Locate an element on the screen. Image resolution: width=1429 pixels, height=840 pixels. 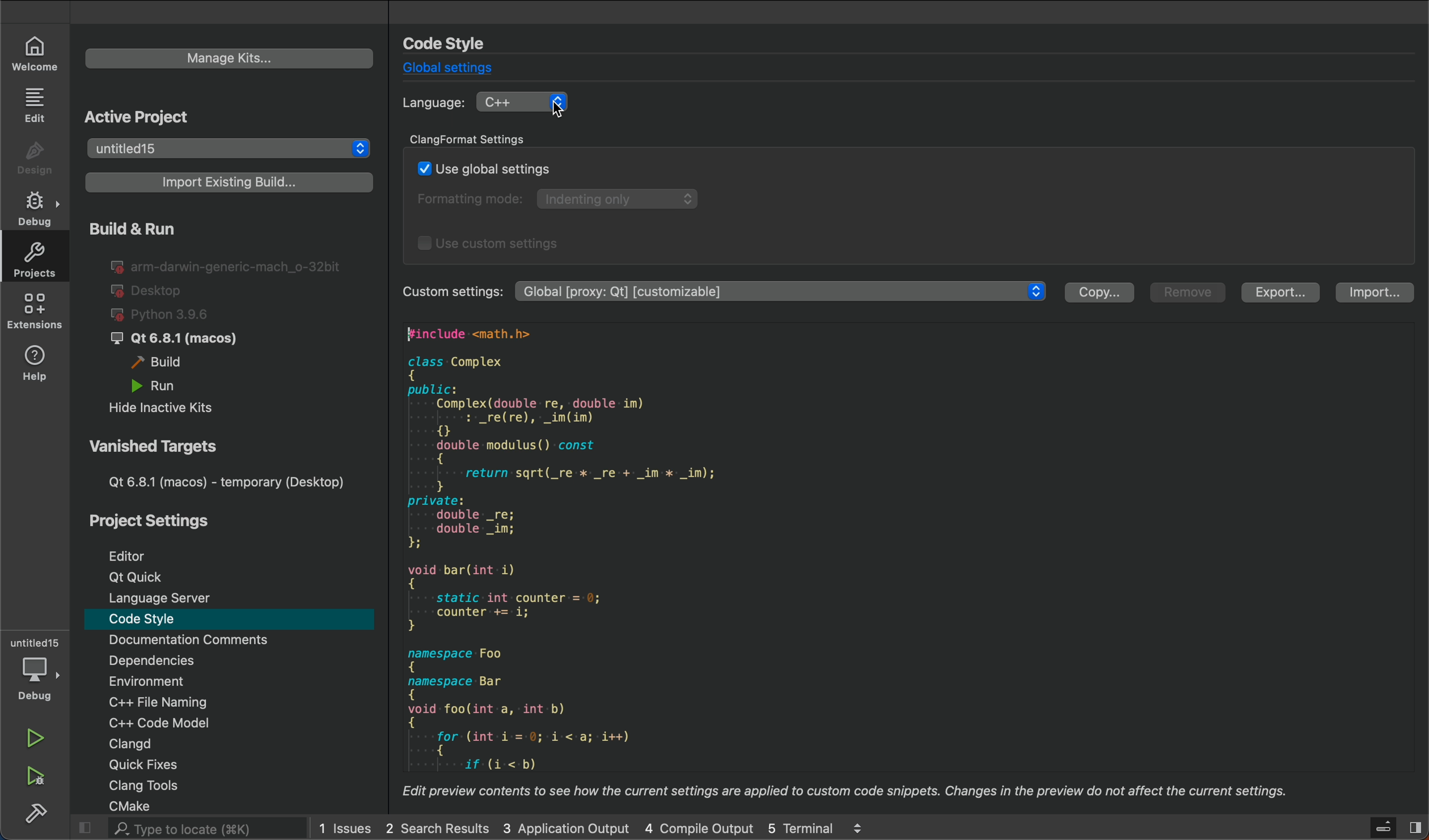
search is located at coordinates (184, 828).